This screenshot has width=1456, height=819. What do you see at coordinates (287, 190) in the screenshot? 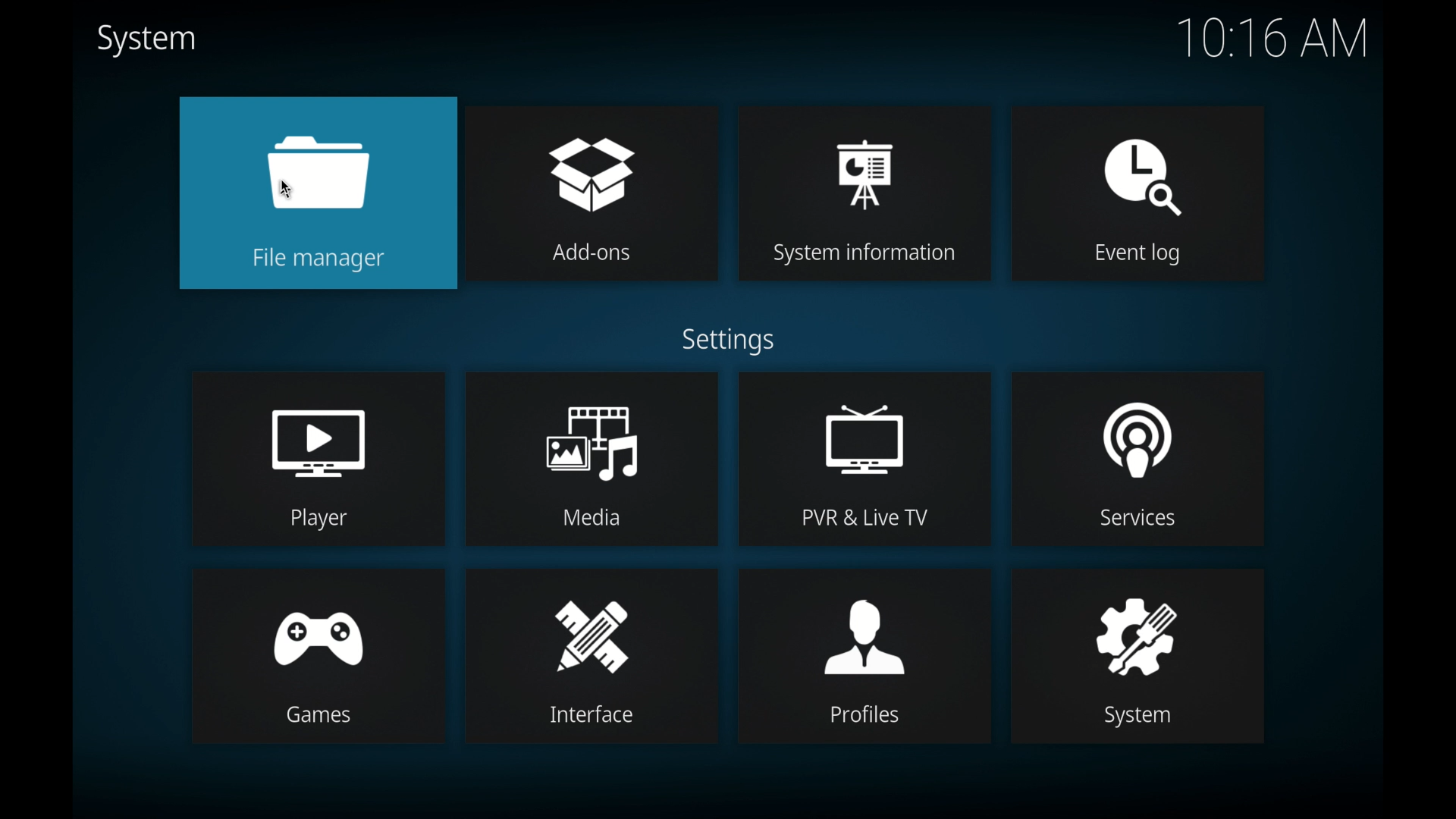
I see `cursor` at bounding box center [287, 190].